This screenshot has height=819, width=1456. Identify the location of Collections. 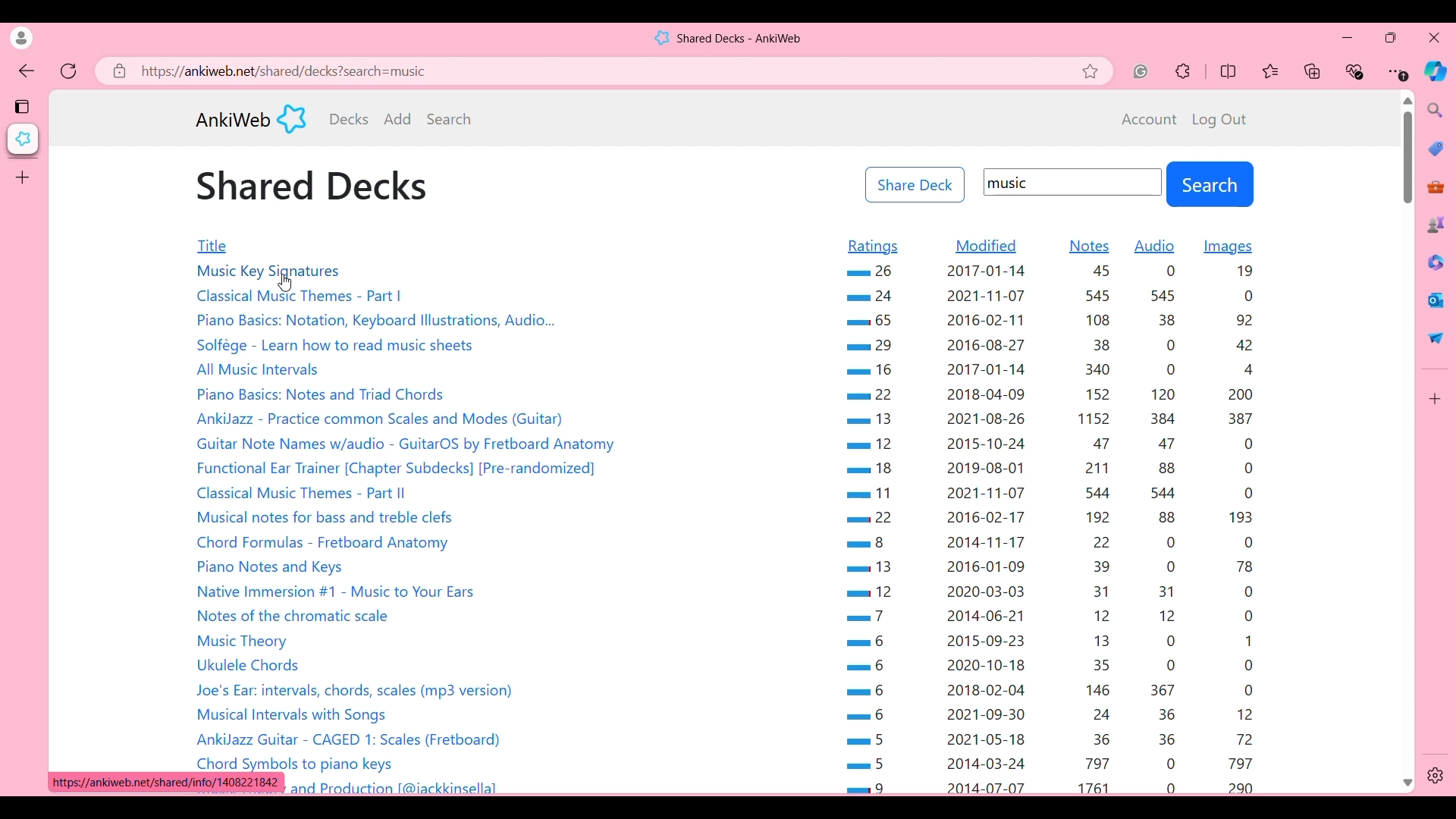
(1313, 71).